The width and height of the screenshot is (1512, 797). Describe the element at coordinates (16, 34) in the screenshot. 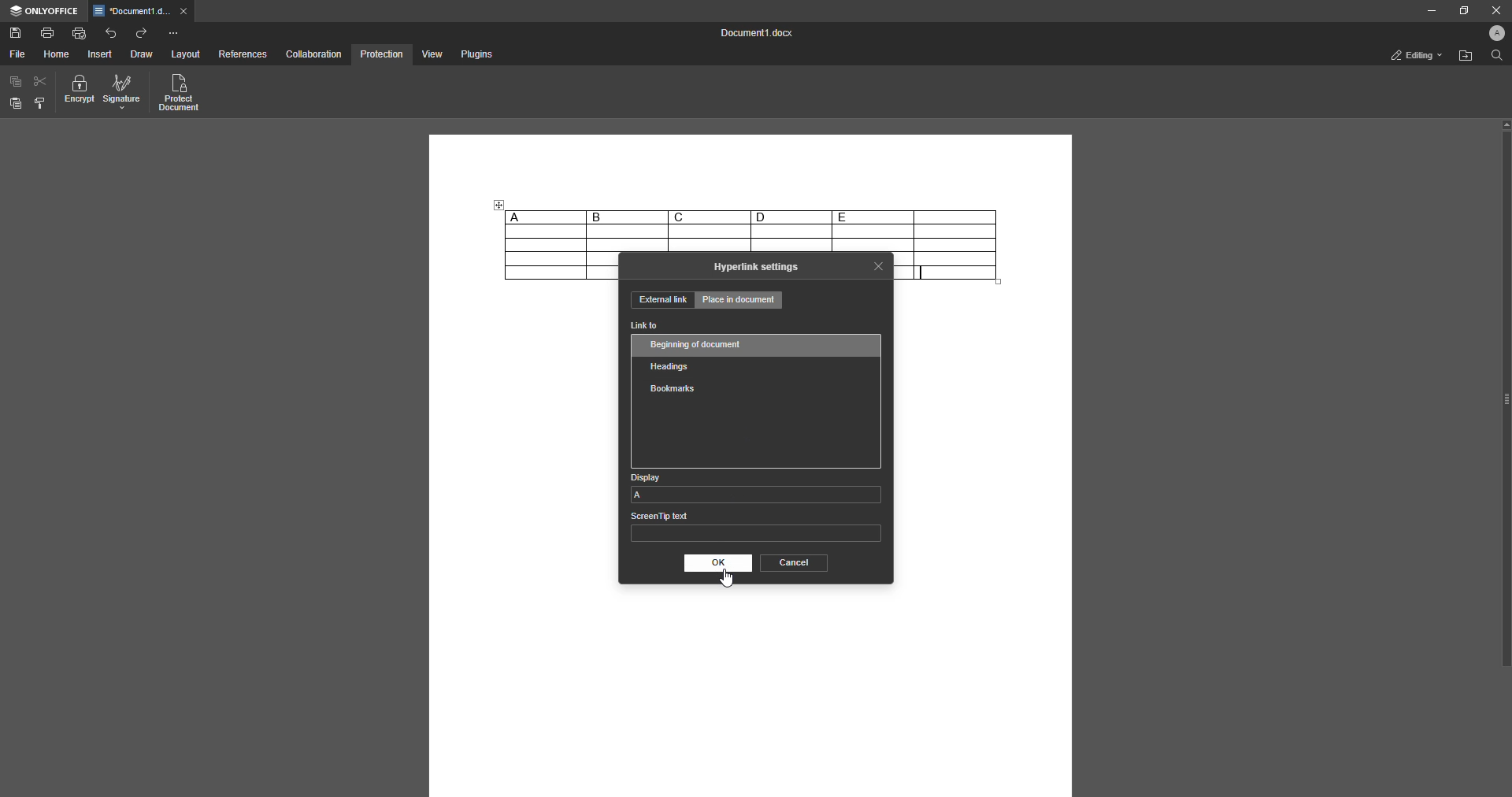

I see `Save` at that location.